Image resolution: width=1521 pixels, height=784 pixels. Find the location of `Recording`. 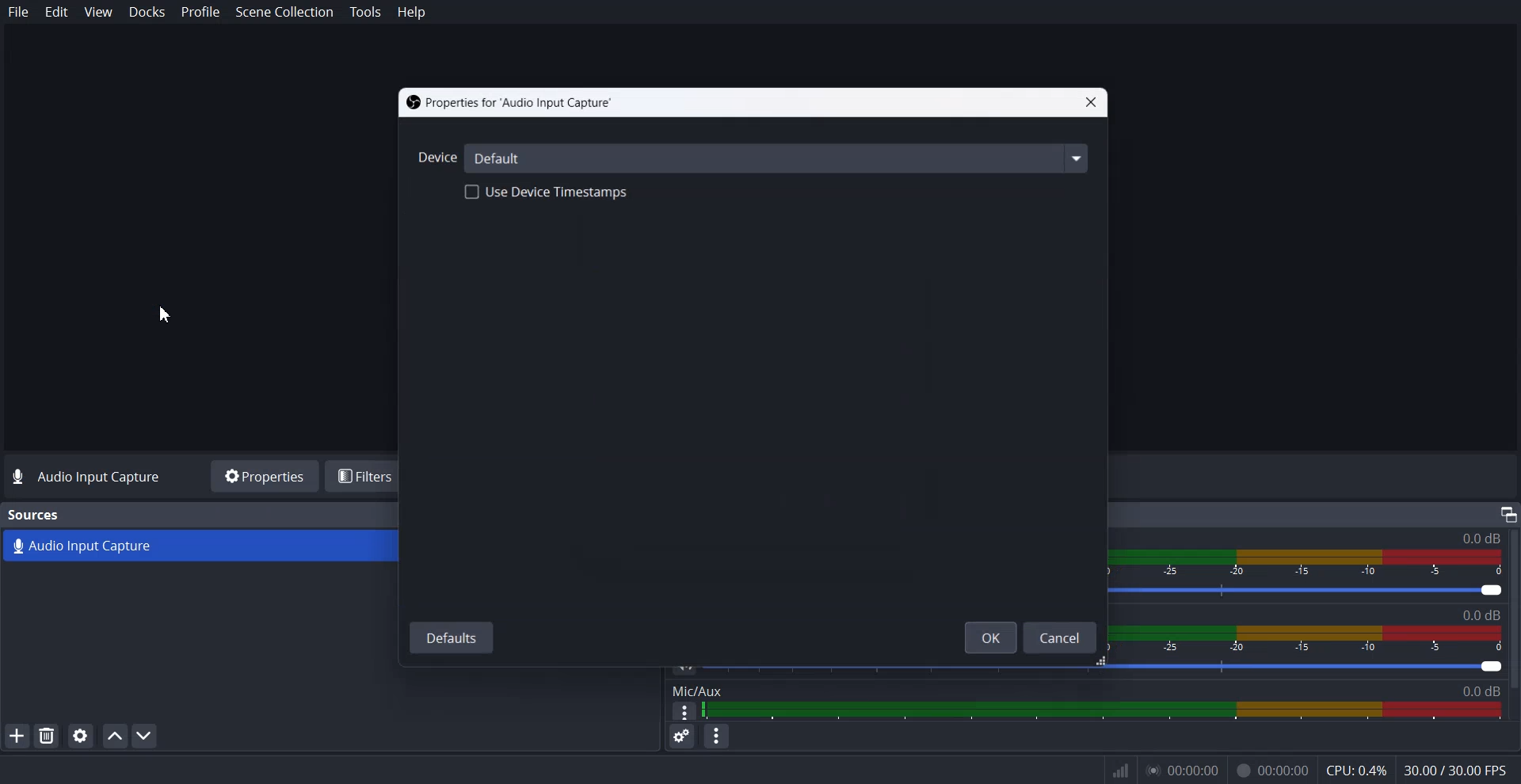

Recording is located at coordinates (1272, 771).